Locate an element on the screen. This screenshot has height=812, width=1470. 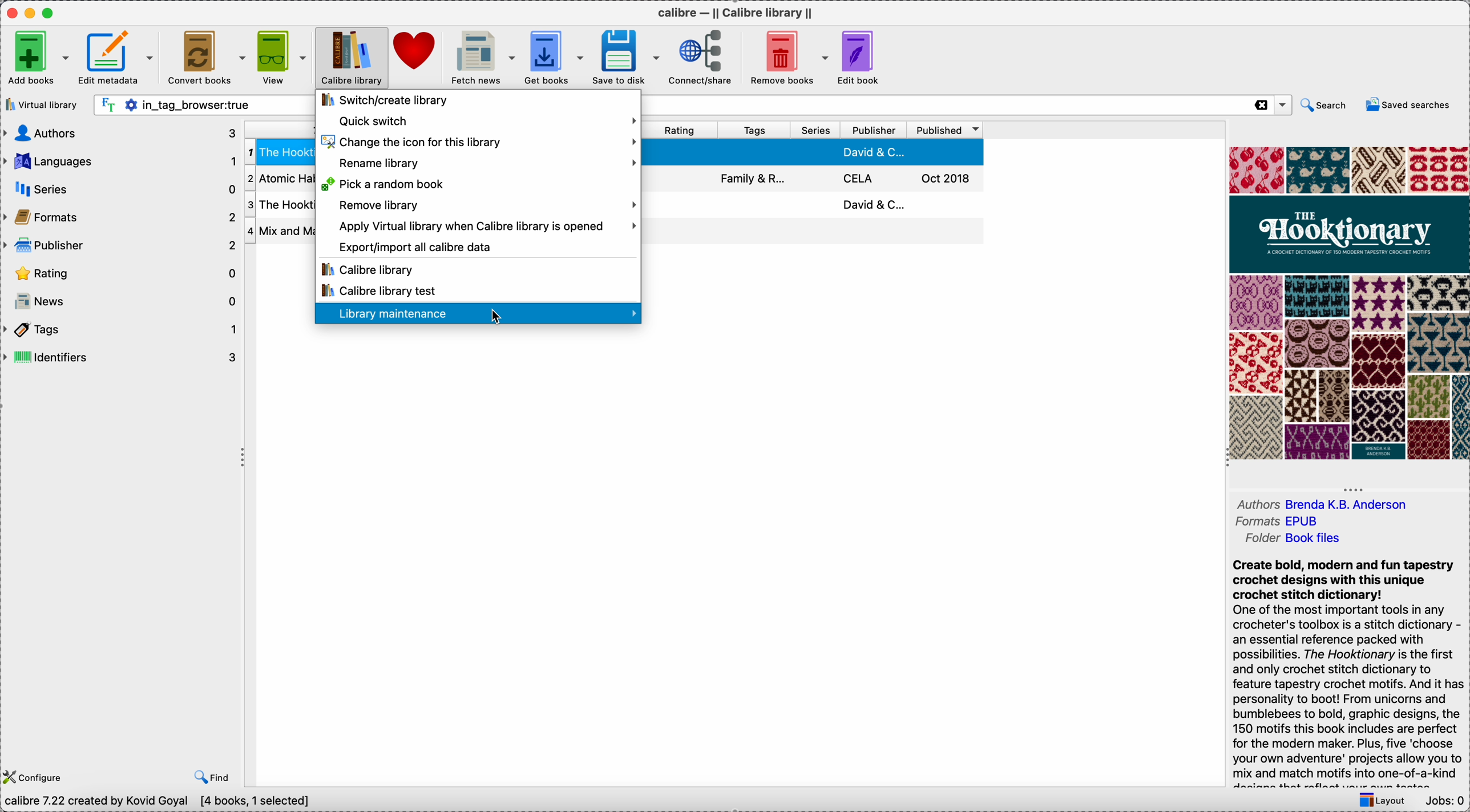
click on Calibre library is located at coordinates (350, 58).